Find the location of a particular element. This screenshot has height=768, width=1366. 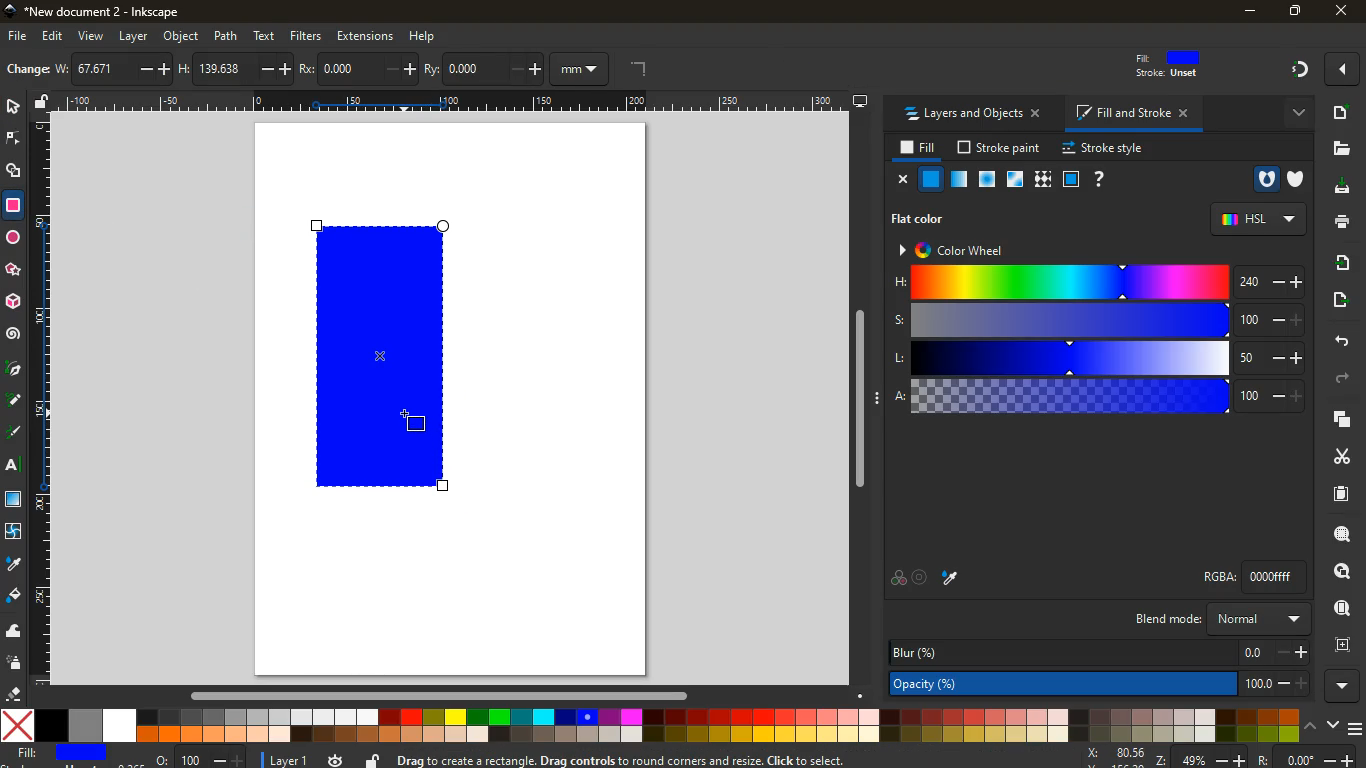

desktop is located at coordinates (860, 101).